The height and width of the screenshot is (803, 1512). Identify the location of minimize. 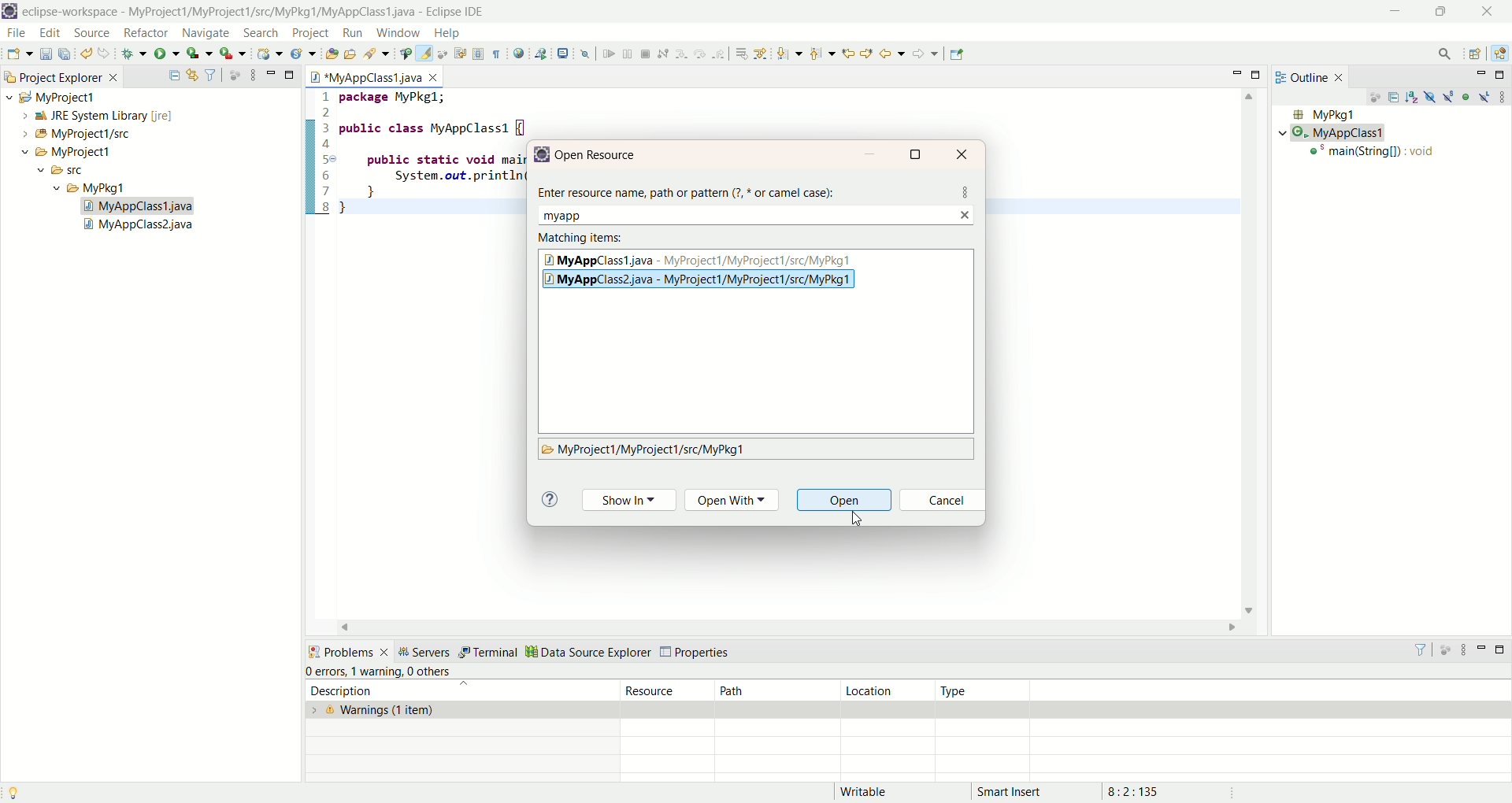
(1480, 75).